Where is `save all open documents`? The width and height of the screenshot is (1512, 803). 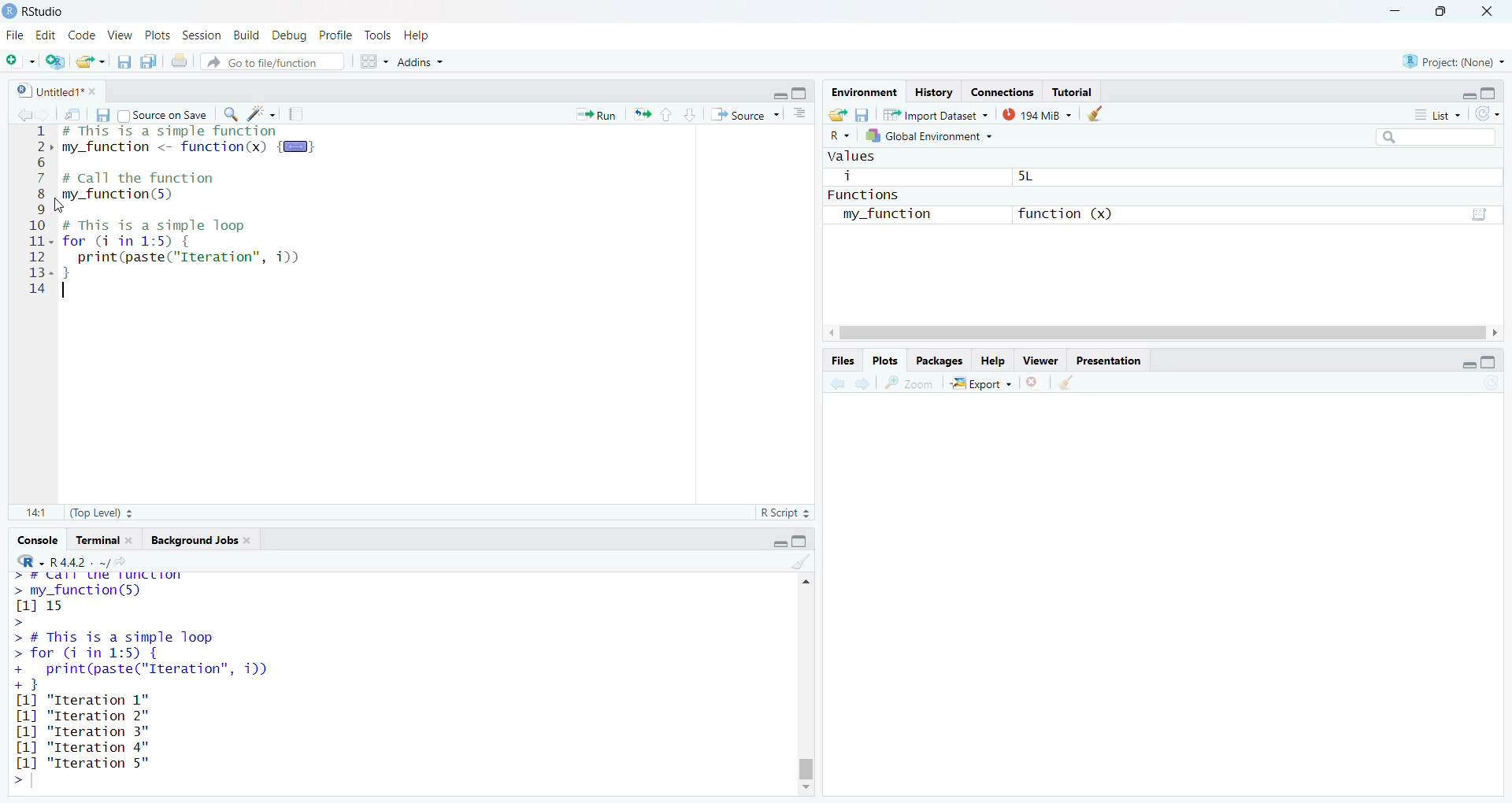 save all open documents is located at coordinates (149, 61).